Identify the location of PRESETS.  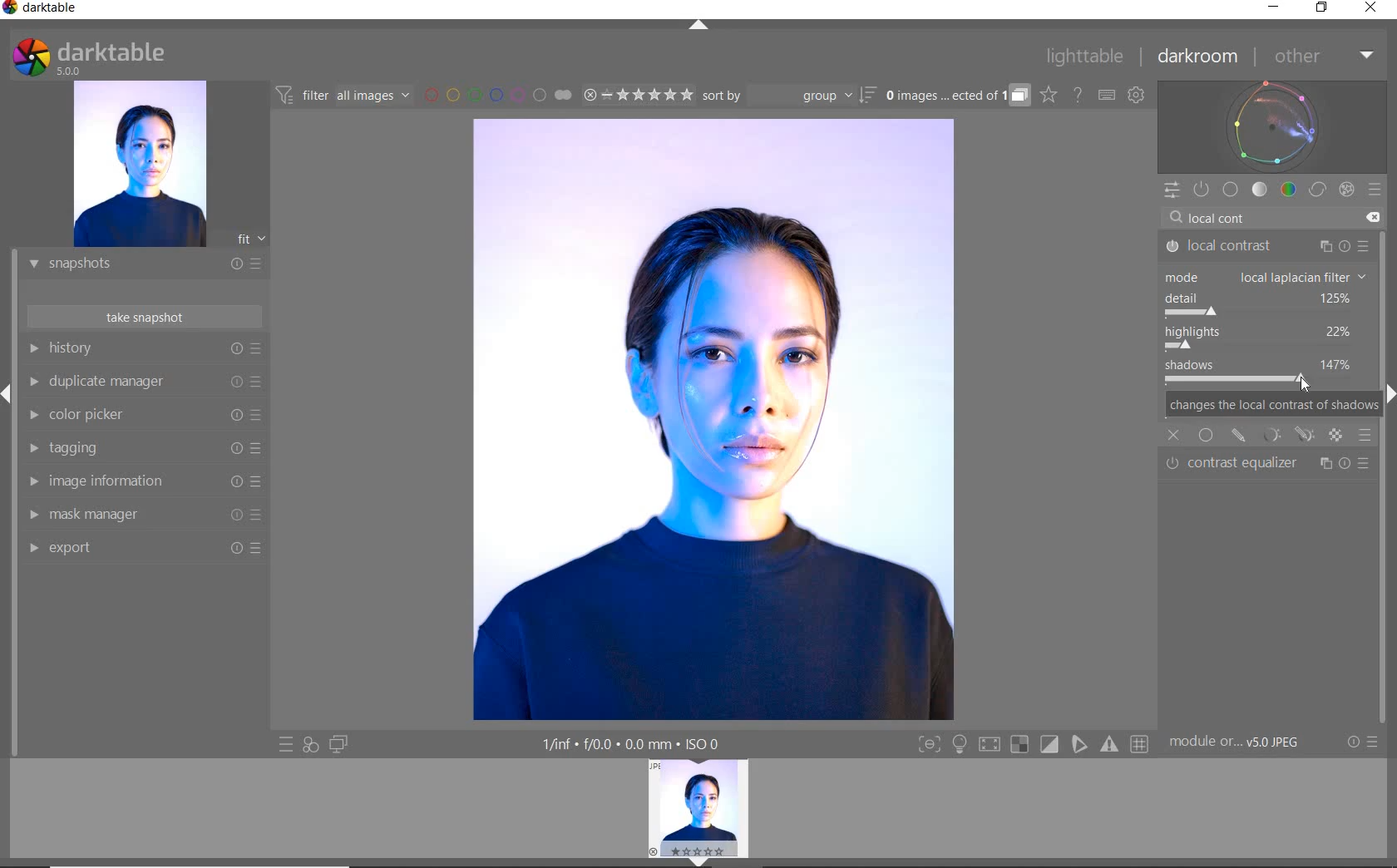
(1375, 189).